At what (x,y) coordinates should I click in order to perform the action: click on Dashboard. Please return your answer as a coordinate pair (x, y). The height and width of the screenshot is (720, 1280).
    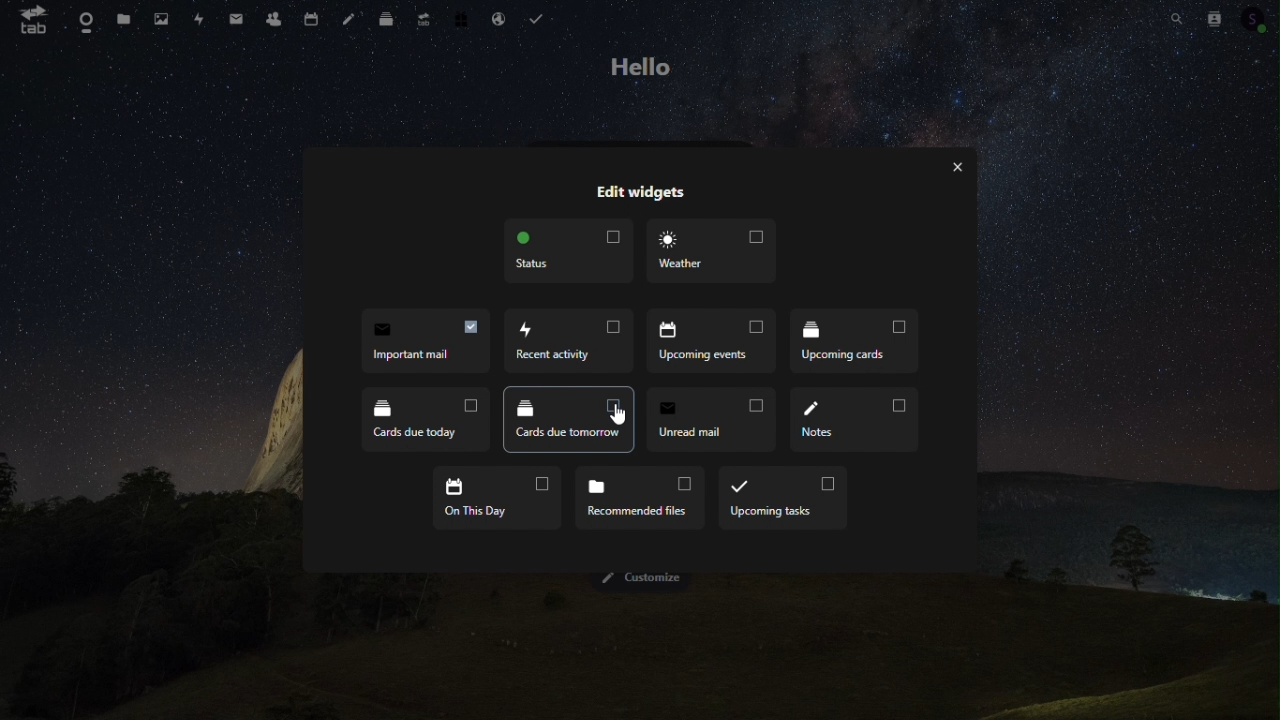
    Looking at the image, I should click on (82, 19).